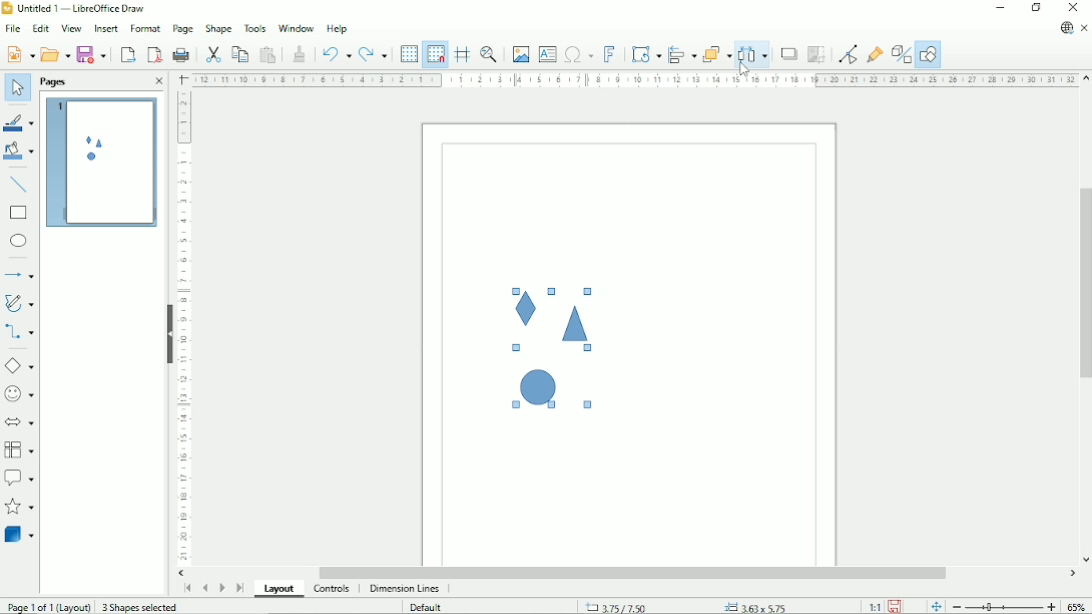  I want to click on Snap to grid, so click(435, 54).